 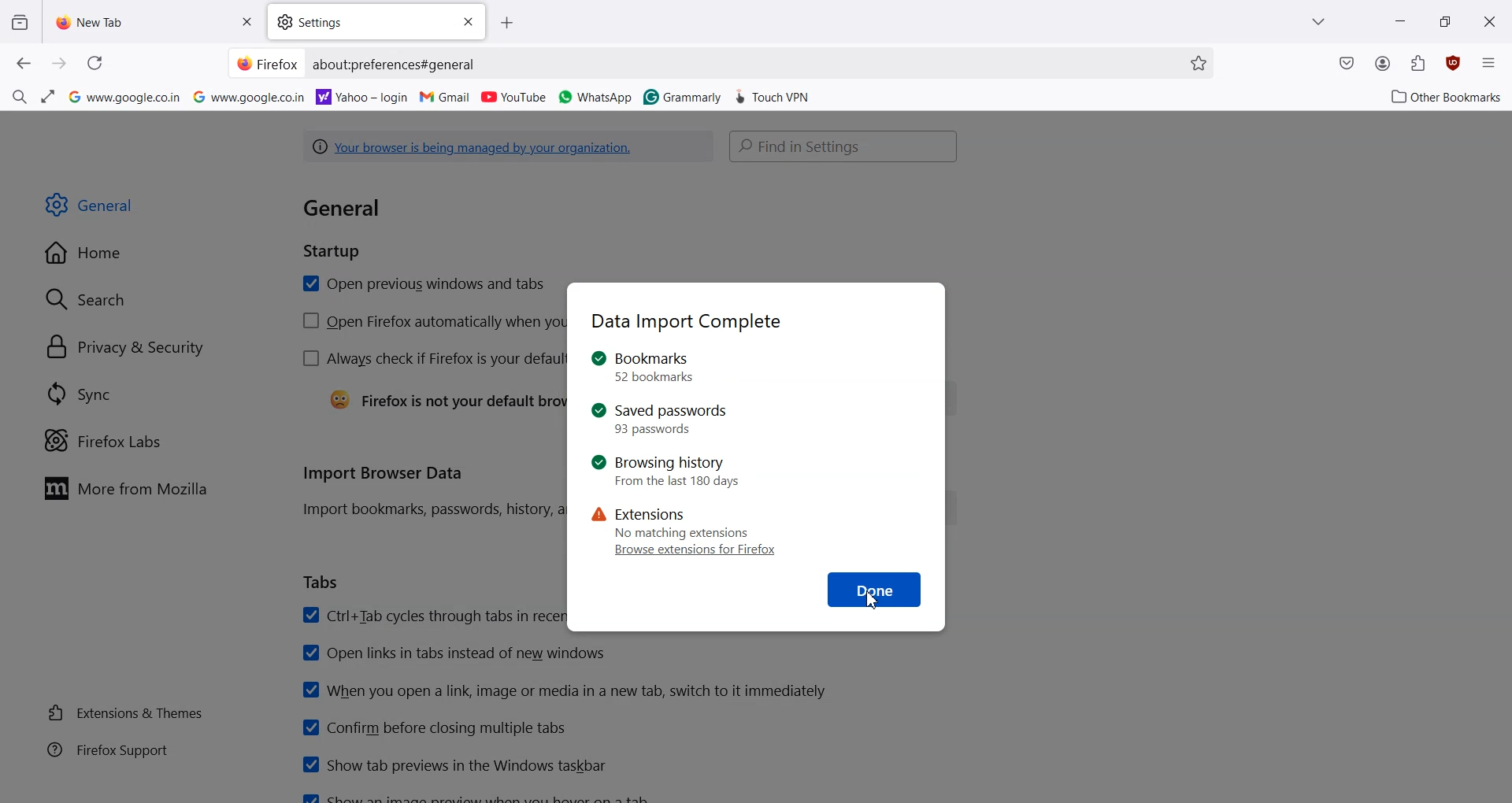 What do you see at coordinates (510, 147) in the screenshot?
I see `Hyperlink` at bounding box center [510, 147].